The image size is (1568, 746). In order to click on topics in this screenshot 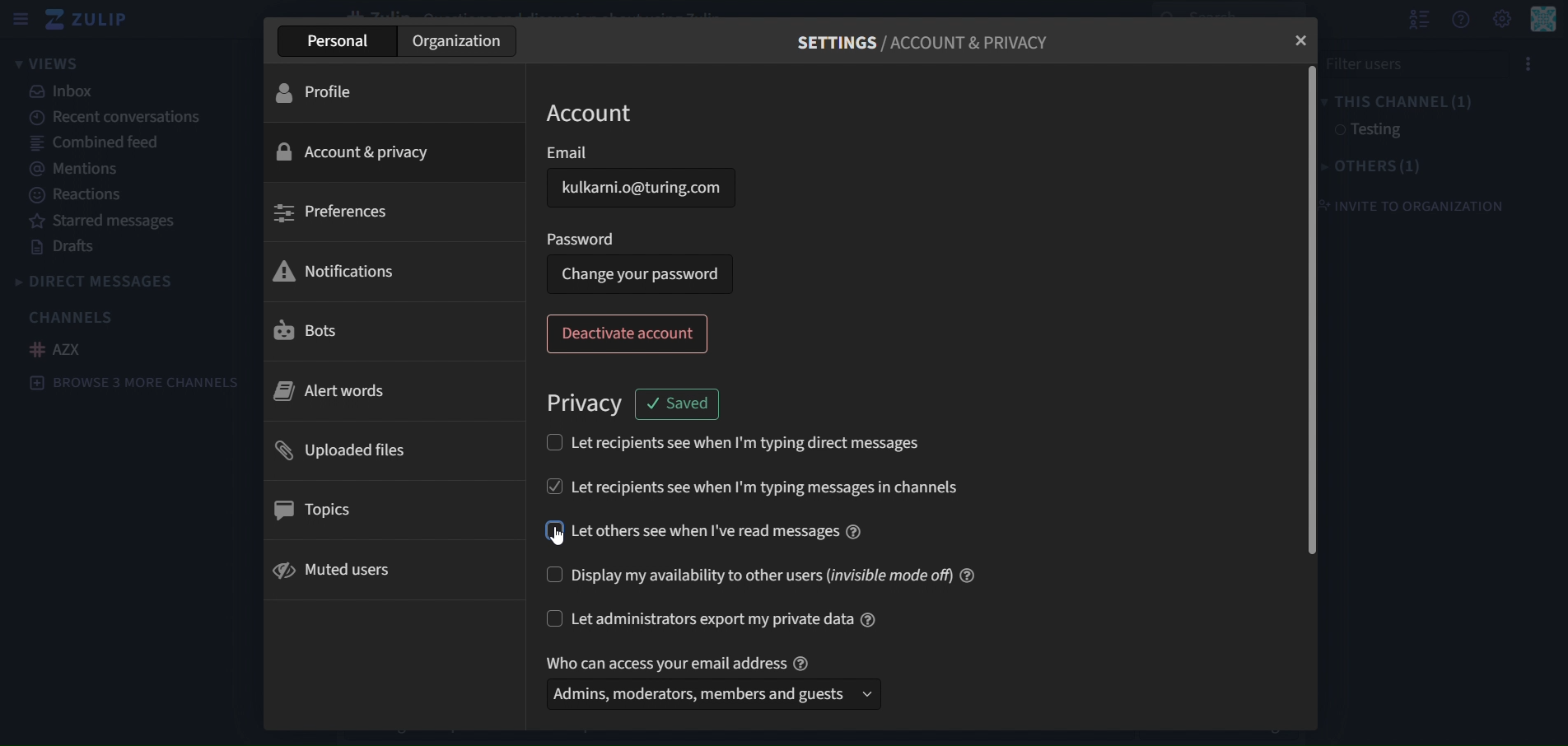, I will do `click(316, 510)`.